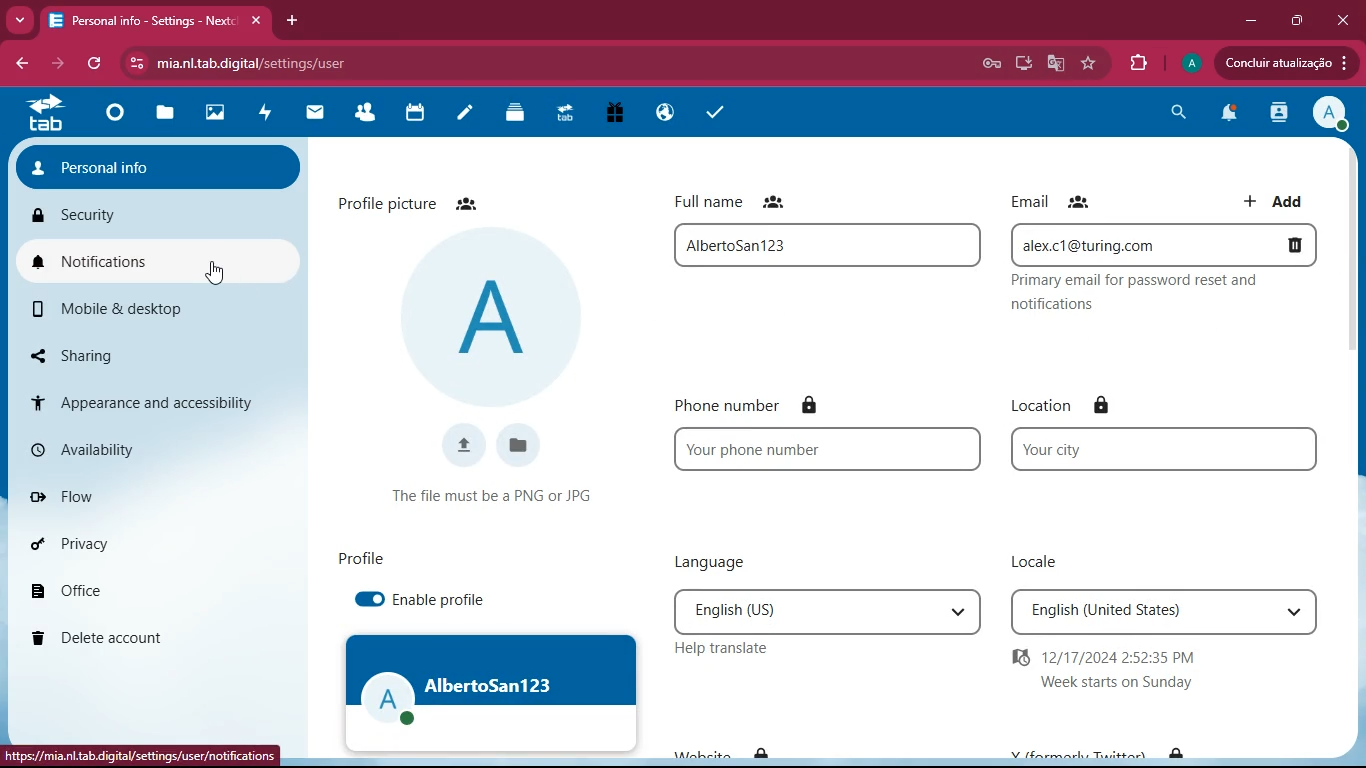  What do you see at coordinates (1059, 404) in the screenshot?
I see `location` at bounding box center [1059, 404].